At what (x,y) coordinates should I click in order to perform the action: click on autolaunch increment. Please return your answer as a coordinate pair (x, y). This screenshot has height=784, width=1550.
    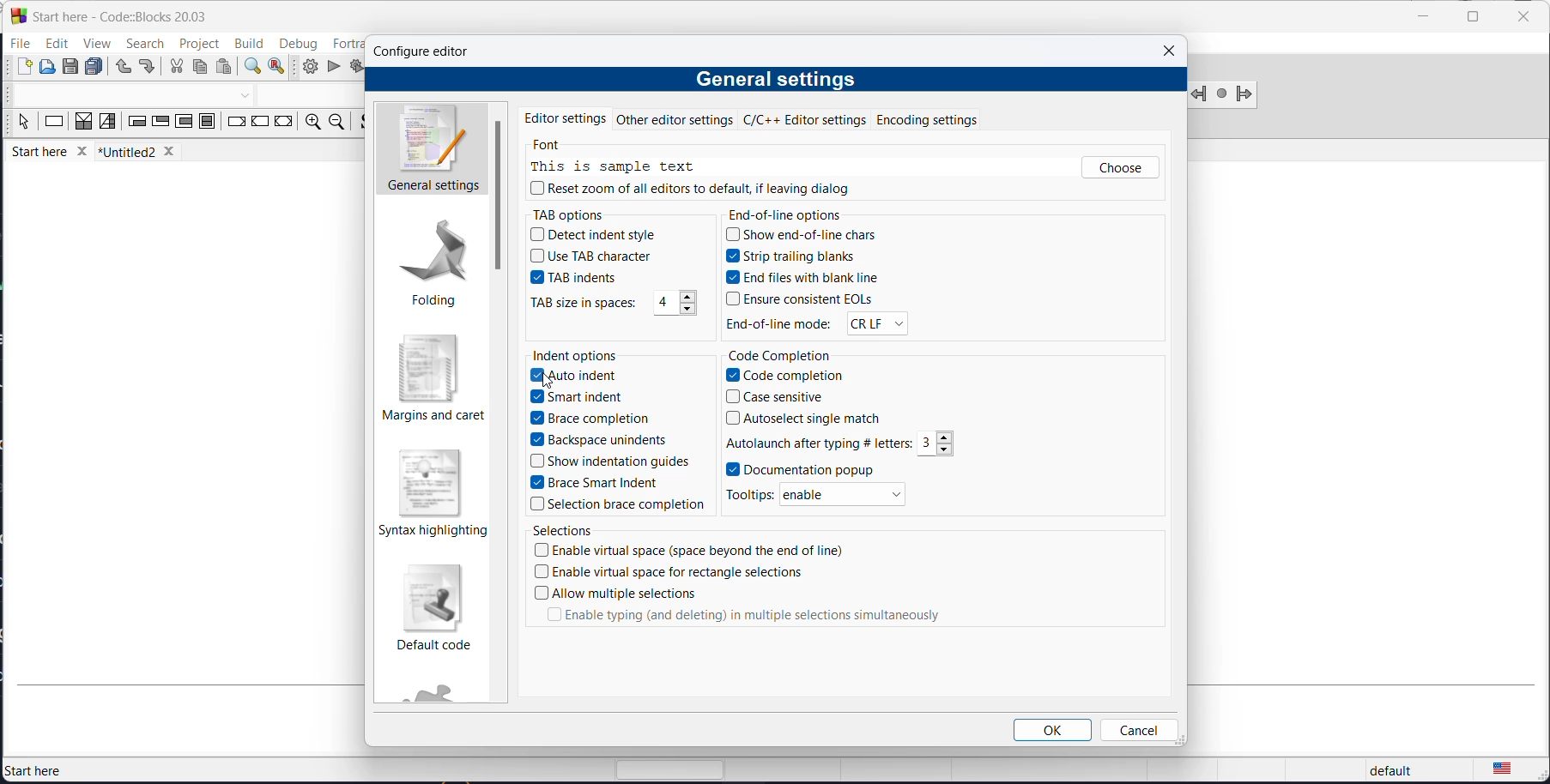
    Looking at the image, I should click on (944, 437).